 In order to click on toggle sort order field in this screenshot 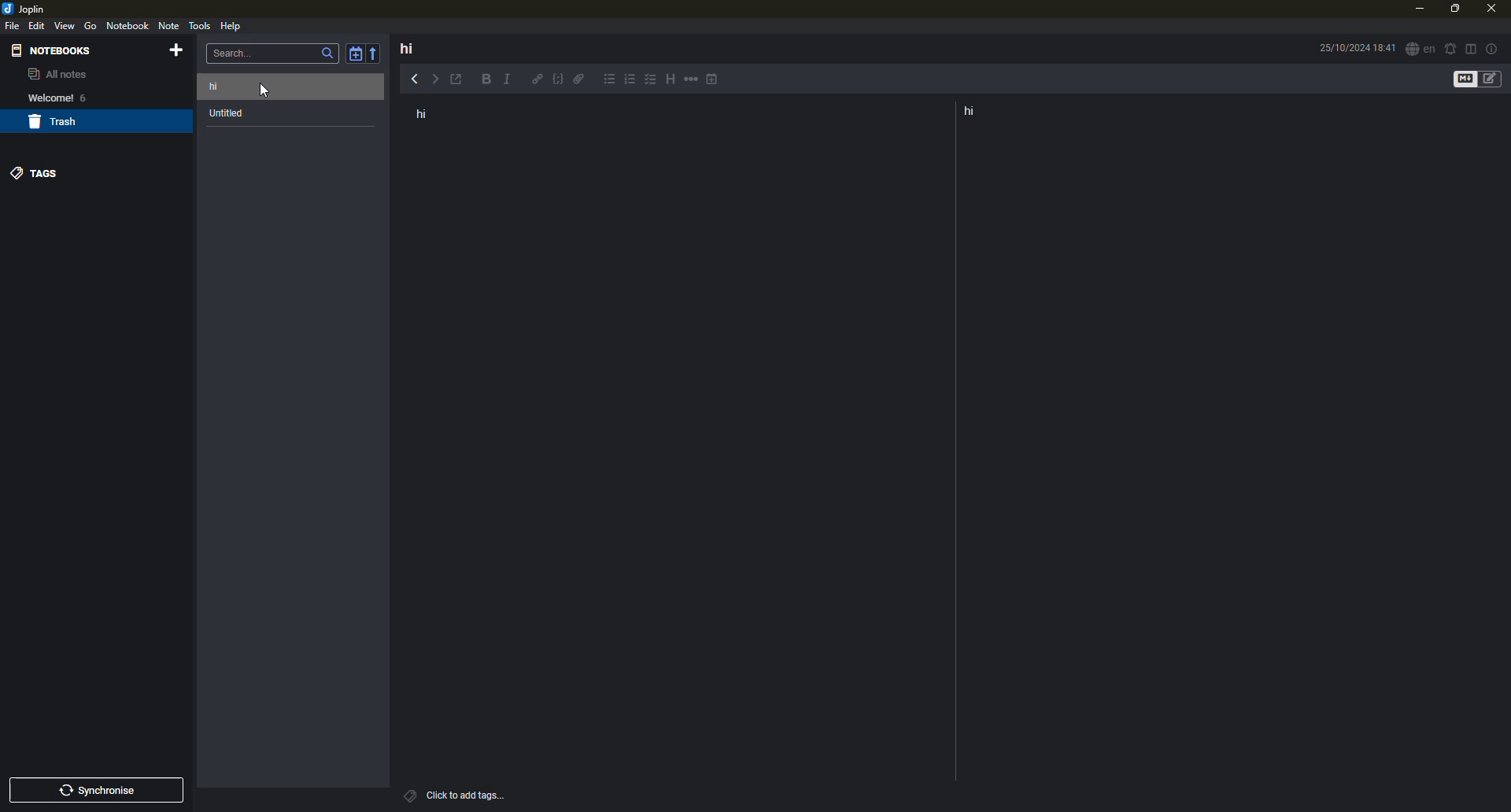, I will do `click(354, 54)`.